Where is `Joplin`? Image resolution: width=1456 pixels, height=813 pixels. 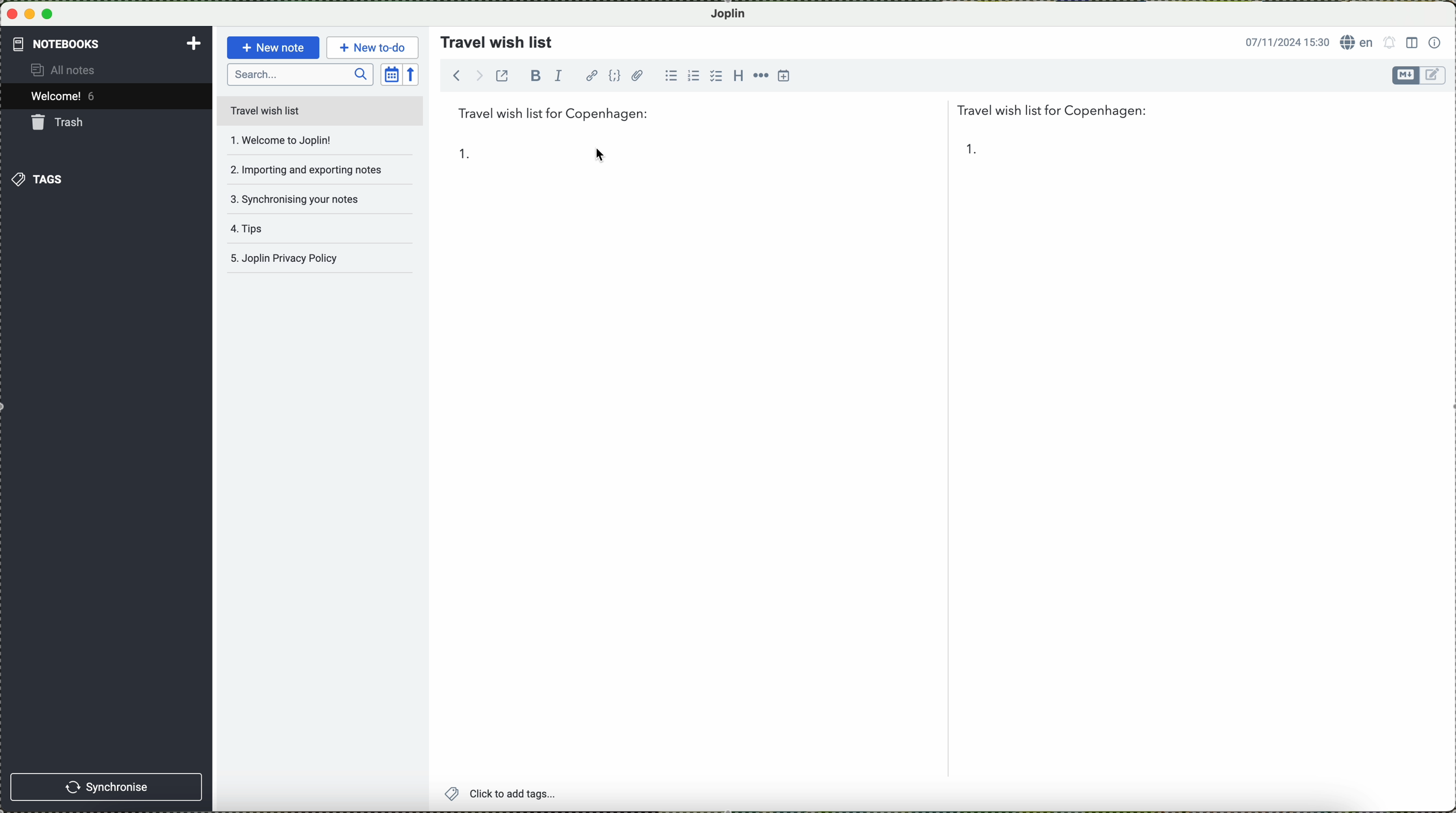
Joplin is located at coordinates (734, 13).